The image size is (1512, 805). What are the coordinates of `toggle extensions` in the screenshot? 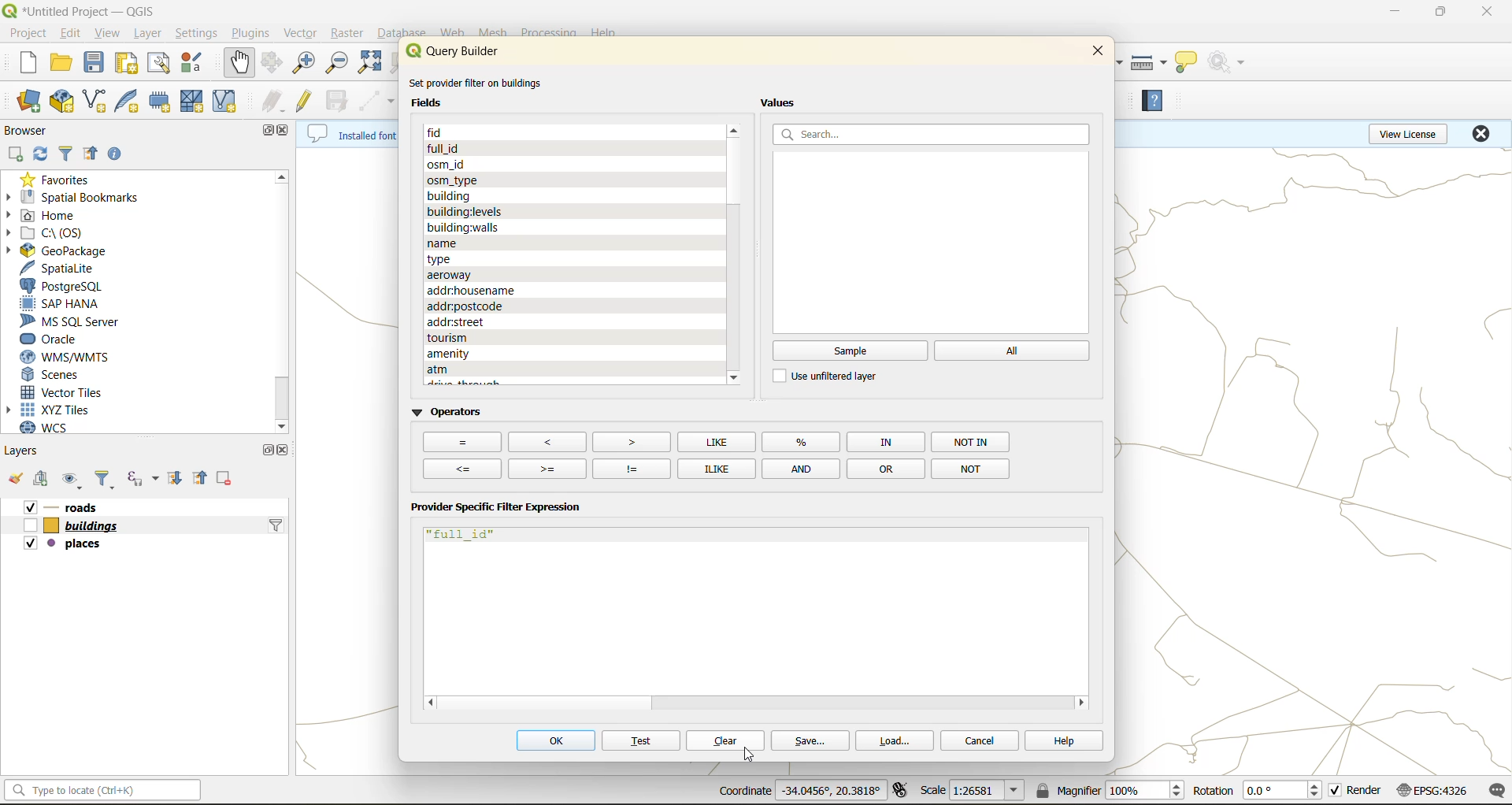 It's located at (898, 791).